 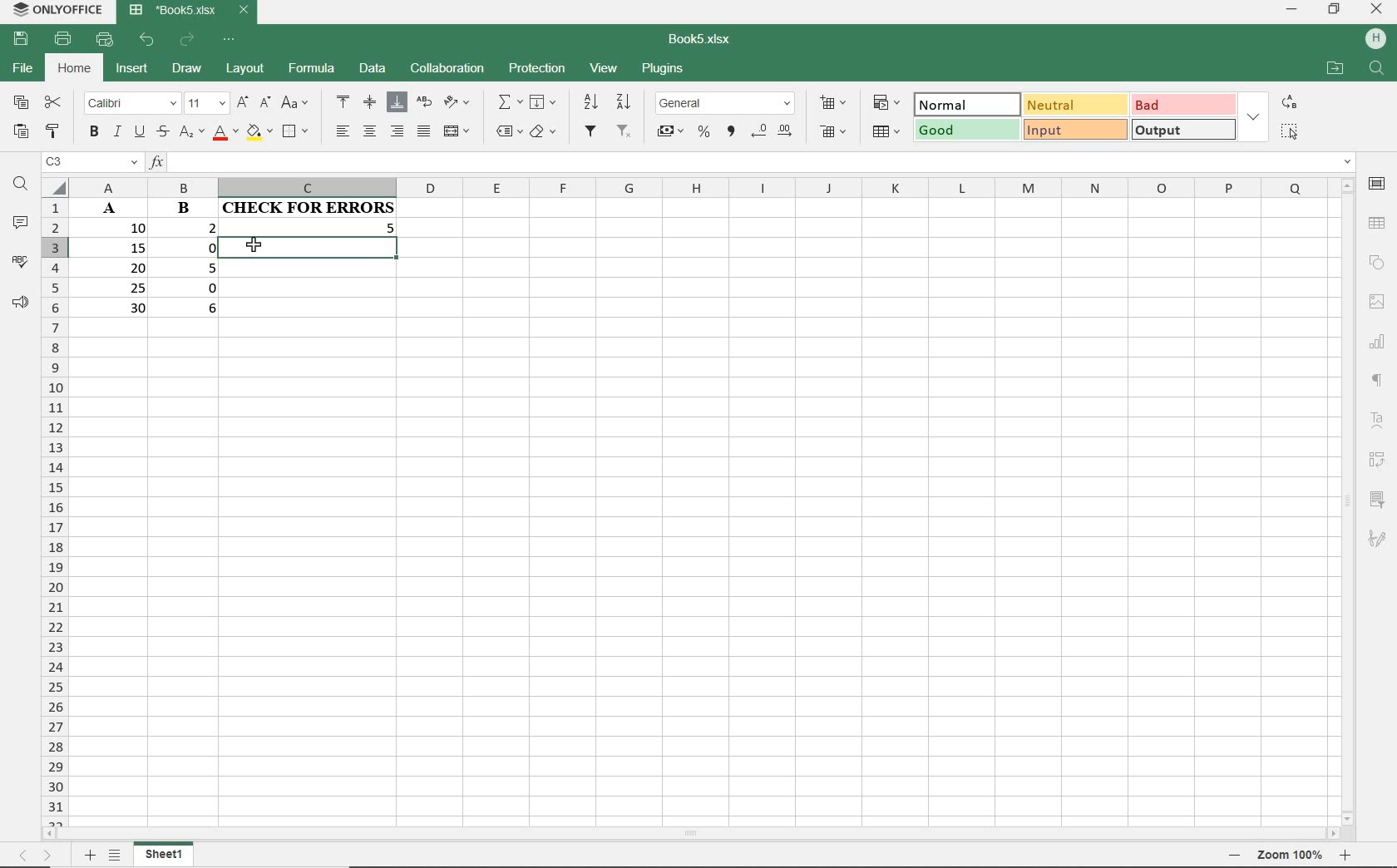 I want to click on INPUT, so click(x=1074, y=129).